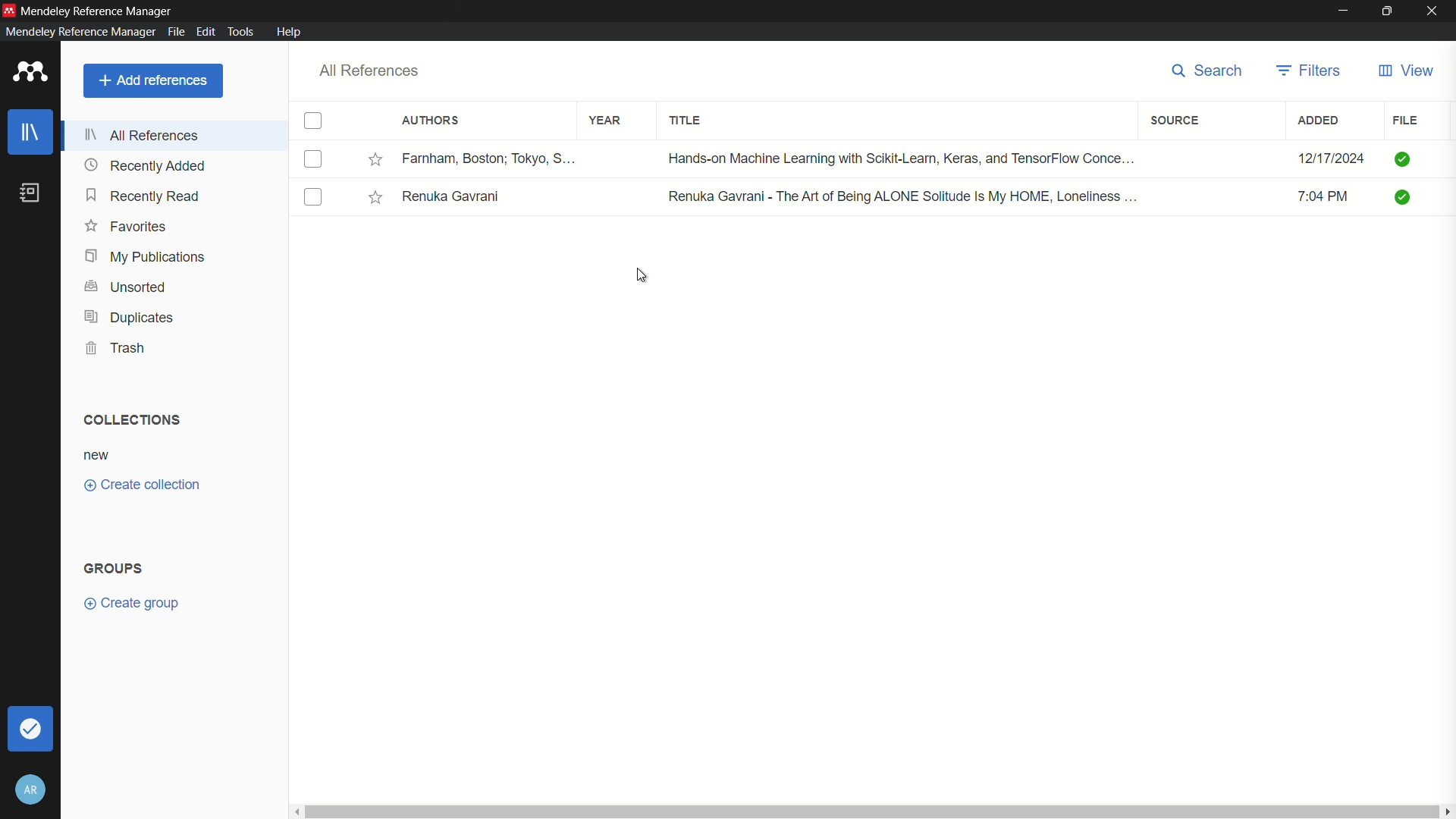  What do you see at coordinates (455, 199) in the screenshot?
I see `Renuka Gavani` at bounding box center [455, 199].